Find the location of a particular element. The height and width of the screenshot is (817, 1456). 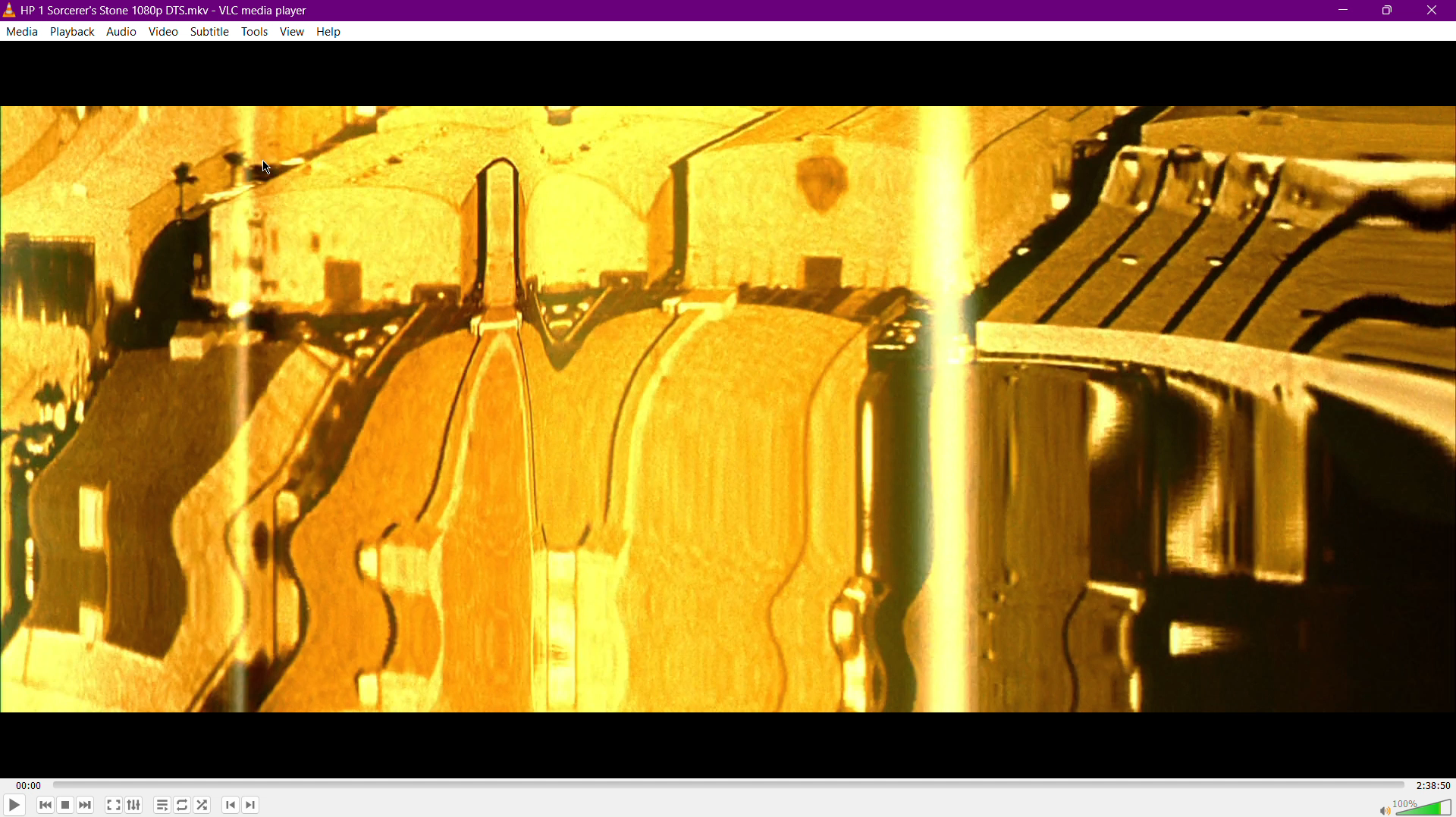

Volume 100% is located at coordinates (1414, 806).